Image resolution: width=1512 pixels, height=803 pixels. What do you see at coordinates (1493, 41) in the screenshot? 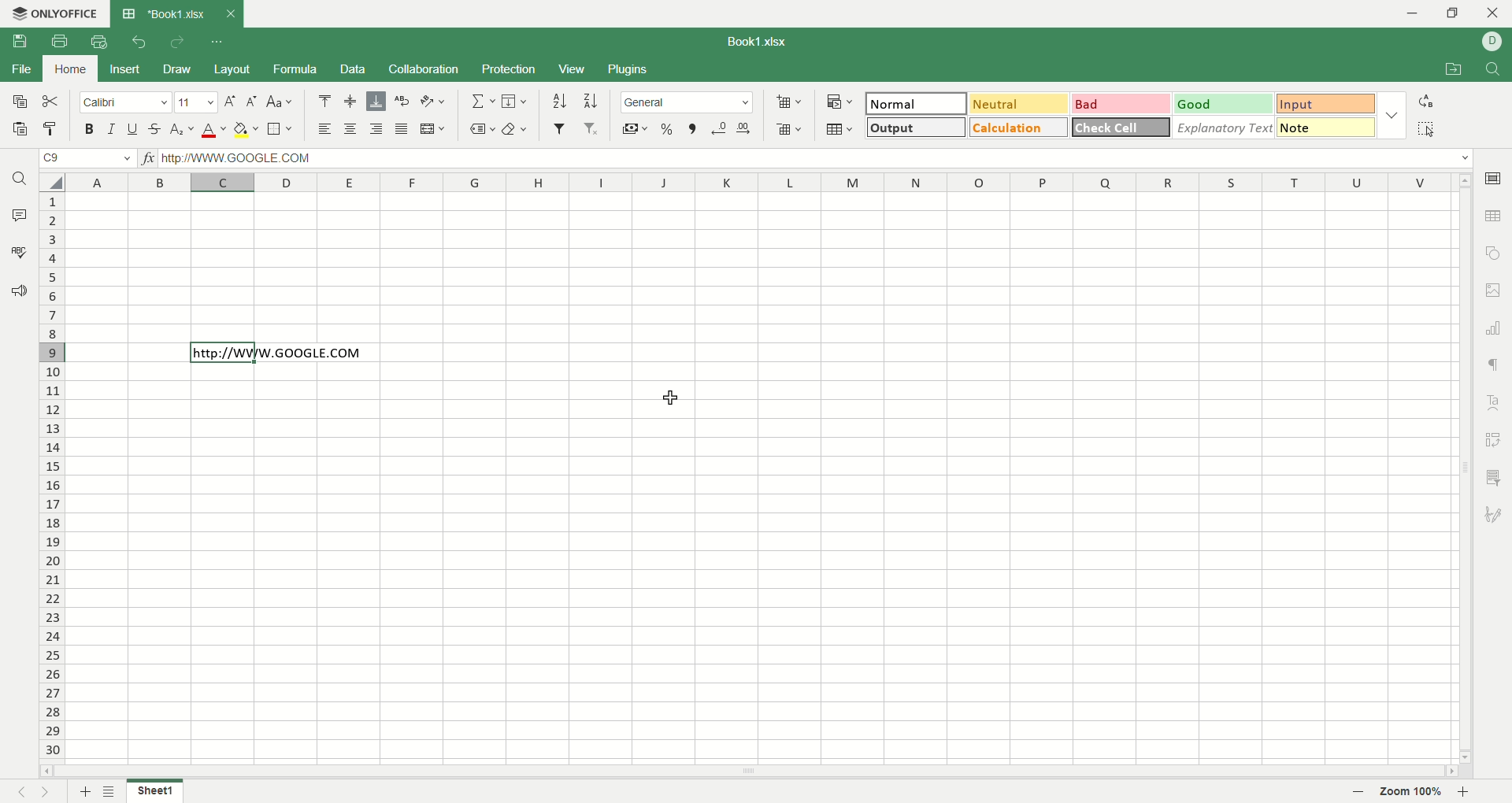
I see `username` at bounding box center [1493, 41].